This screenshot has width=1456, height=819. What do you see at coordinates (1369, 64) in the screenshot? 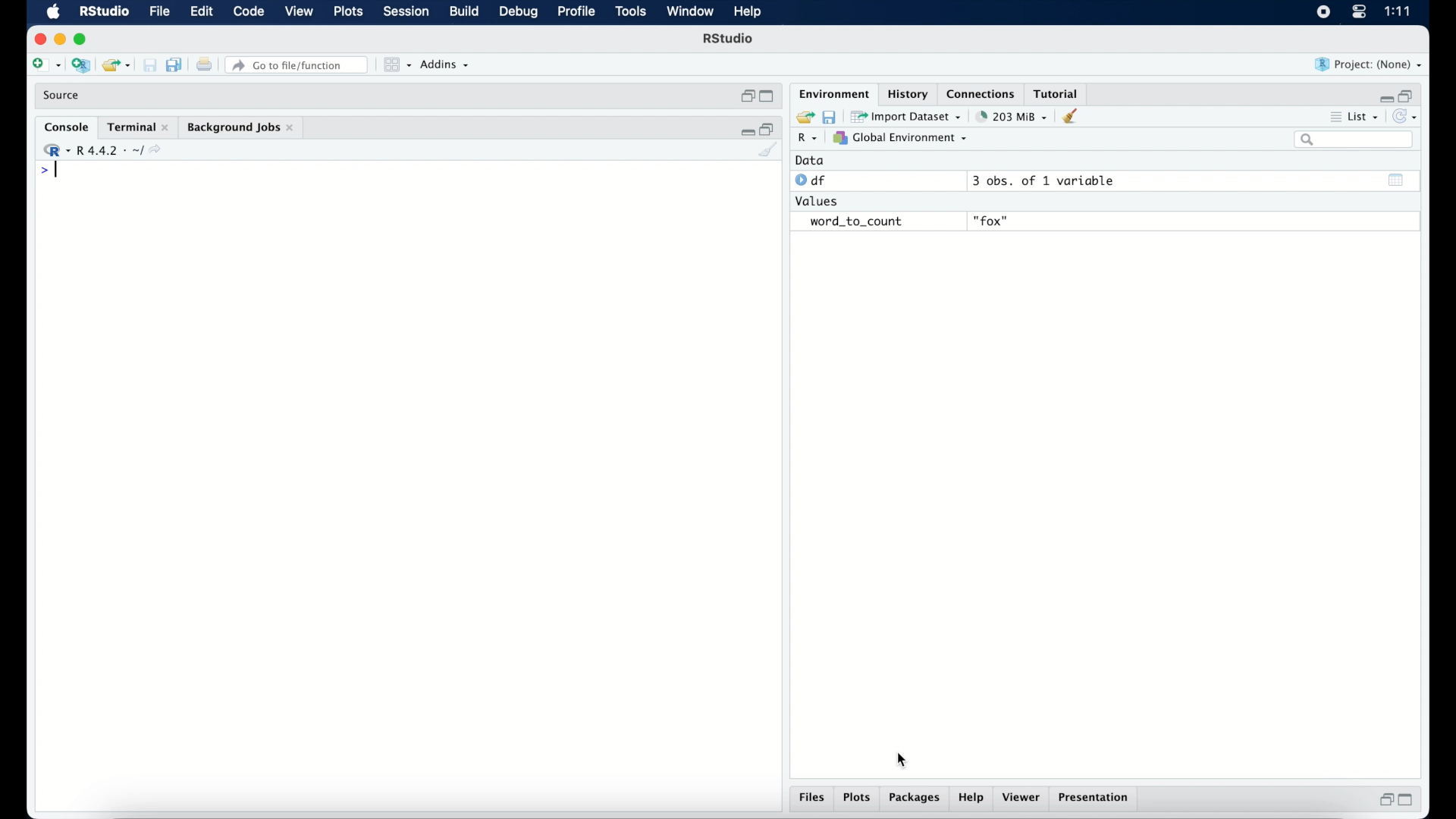
I see `project (none)` at bounding box center [1369, 64].